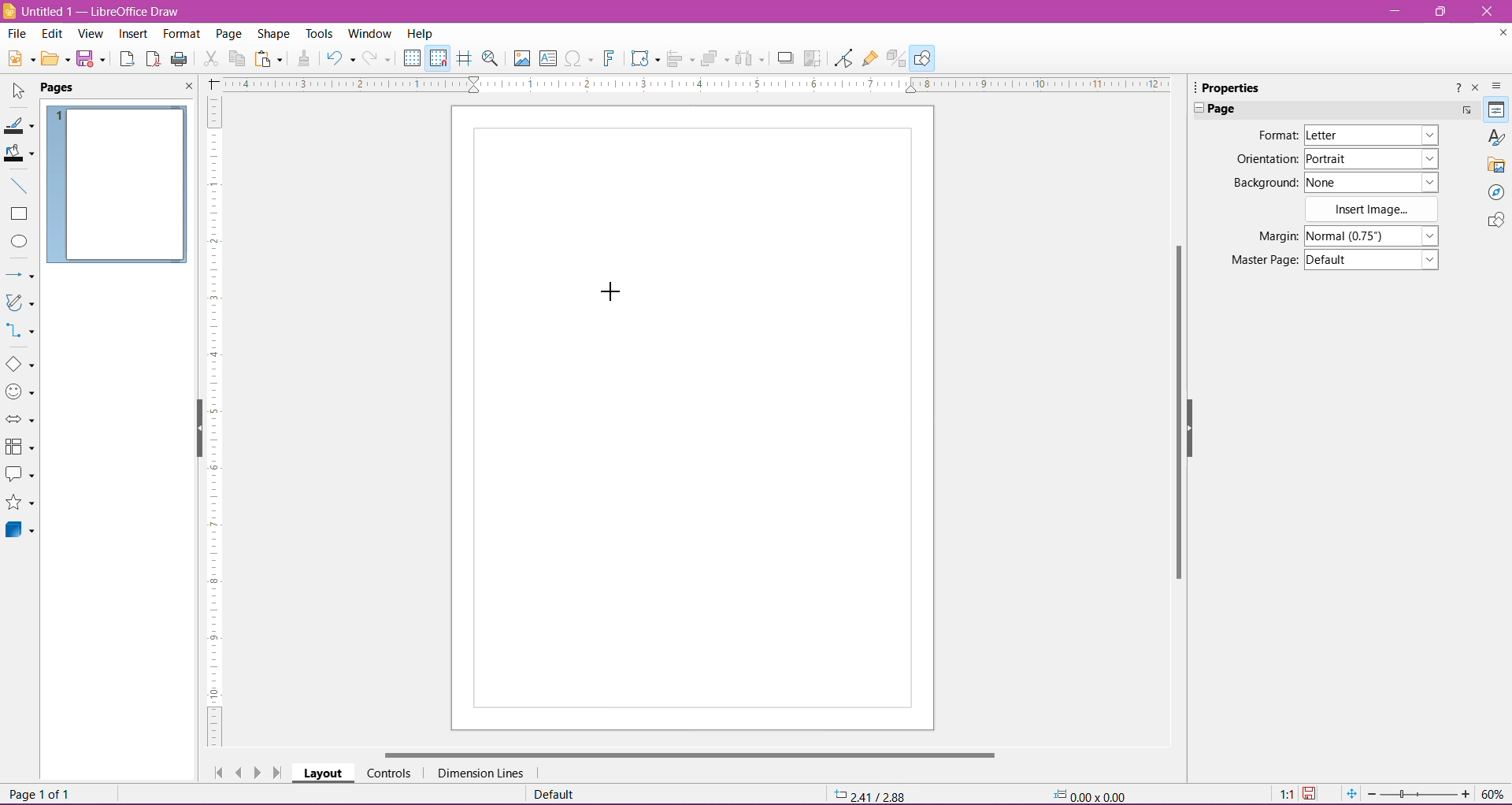  What do you see at coordinates (922, 57) in the screenshot?
I see `Show Draw Functions` at bounding box center [922, 57].